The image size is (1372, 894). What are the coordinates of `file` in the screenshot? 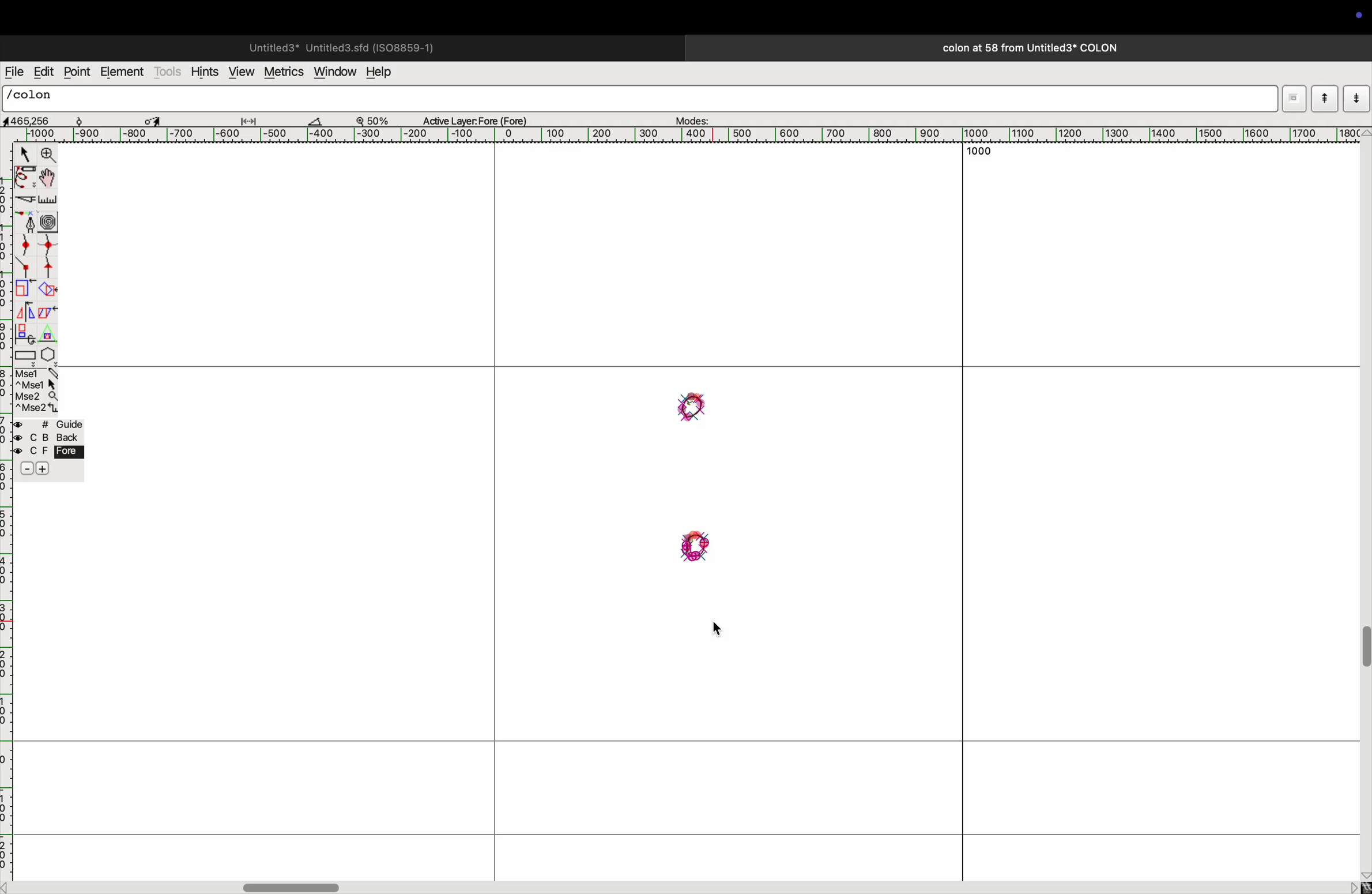 It's located at (14, 72).